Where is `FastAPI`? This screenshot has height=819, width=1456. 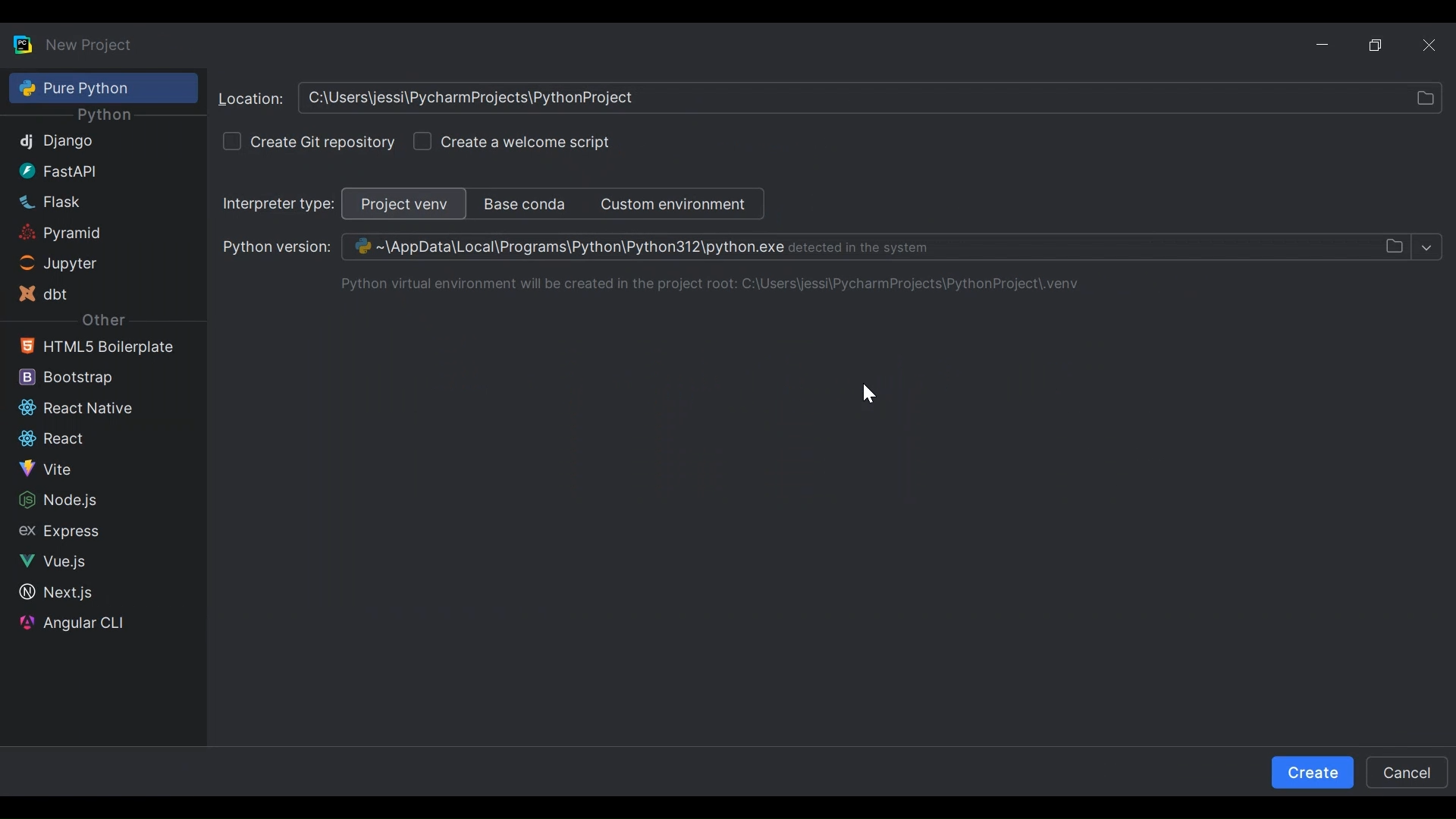 FastAPI is located at coordinates (93, 172).